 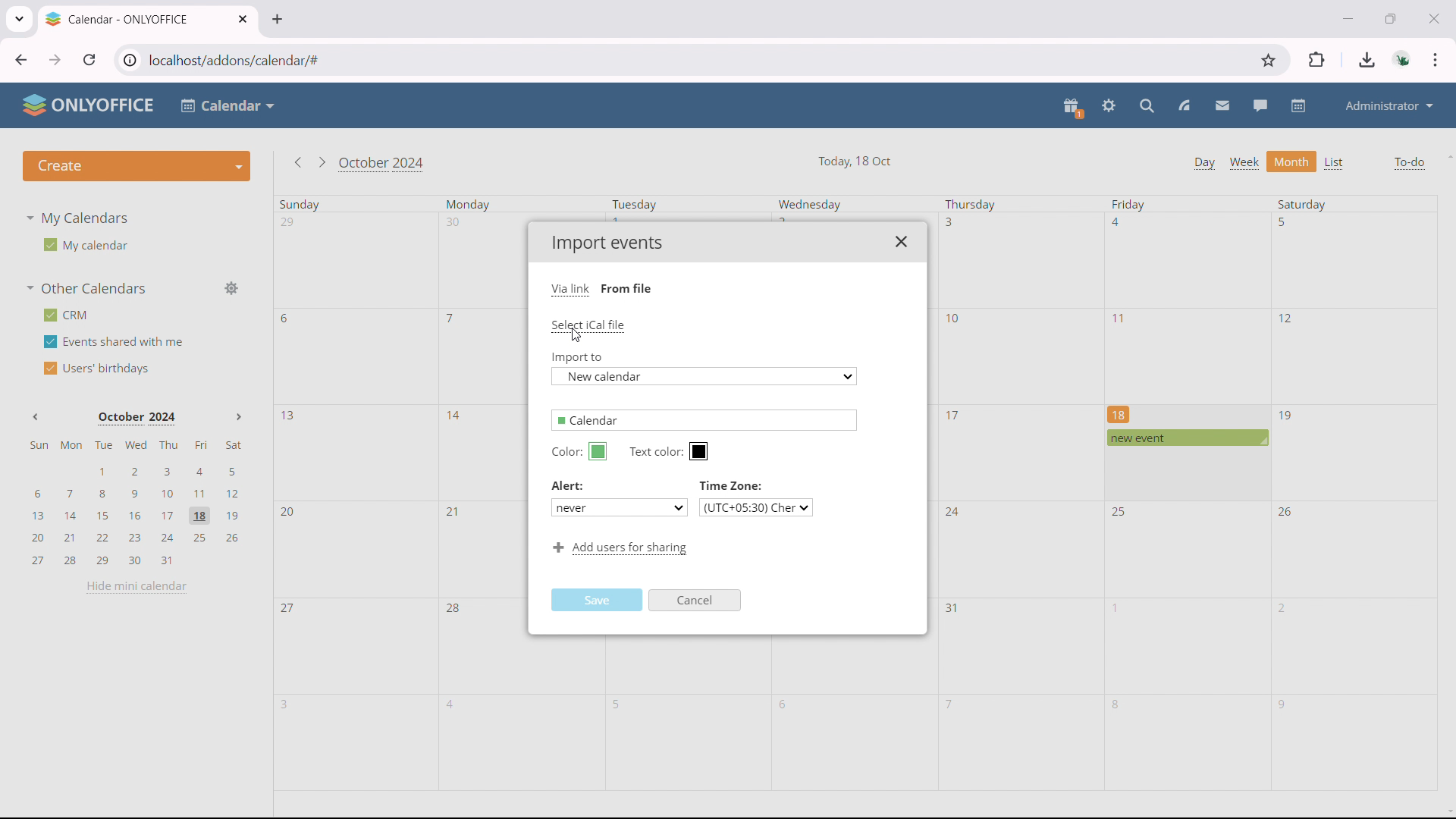 I want to click on 28, so click(x=454, y=610).